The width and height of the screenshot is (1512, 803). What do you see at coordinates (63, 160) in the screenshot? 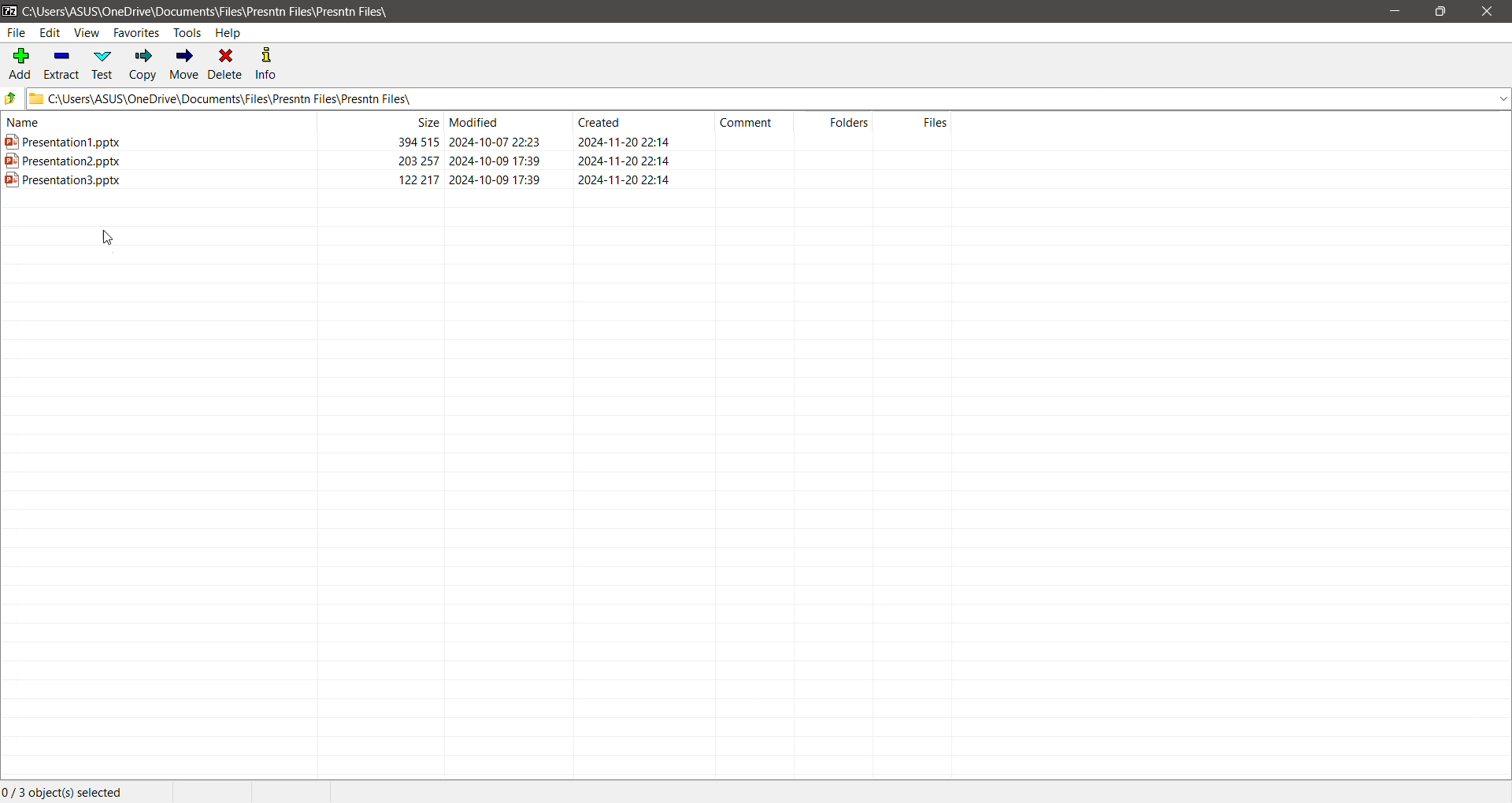
I see `extracted file 2` at bounding box center [63, 160].